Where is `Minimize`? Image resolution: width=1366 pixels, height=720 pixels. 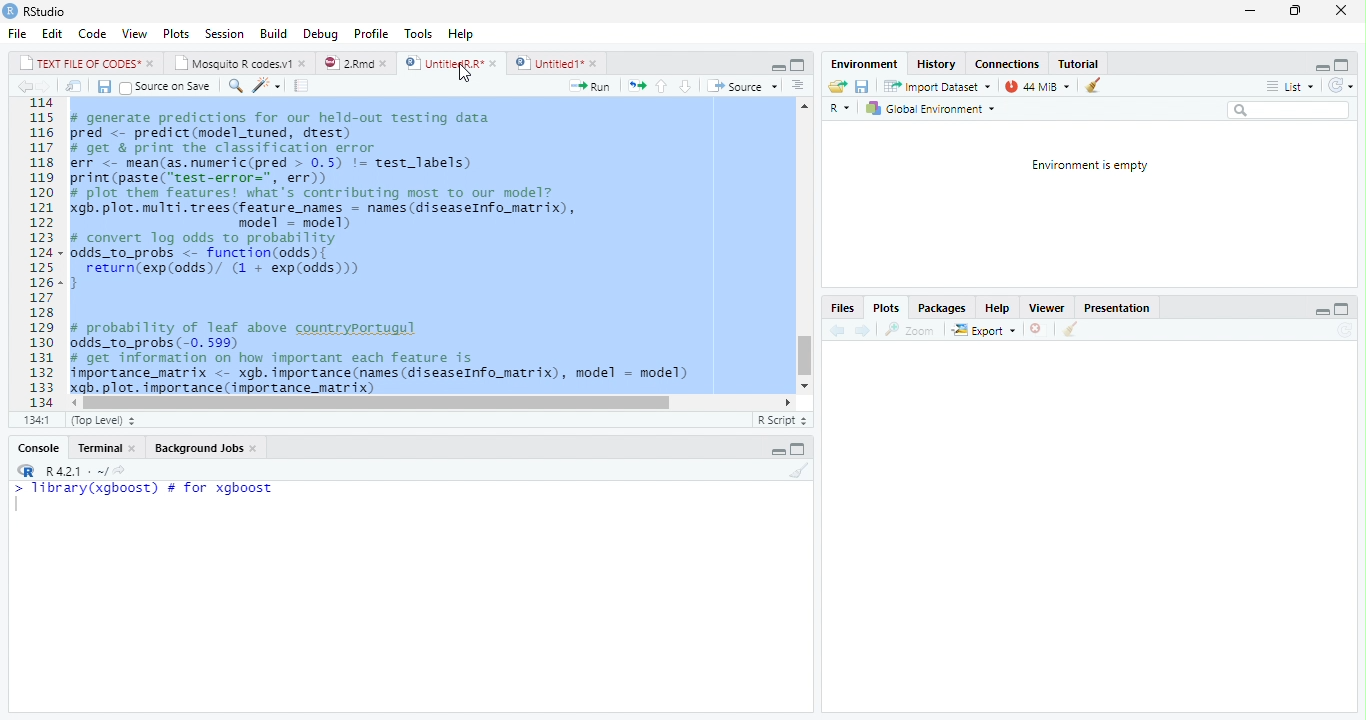 Minimize is located at coordinates (774, 65).